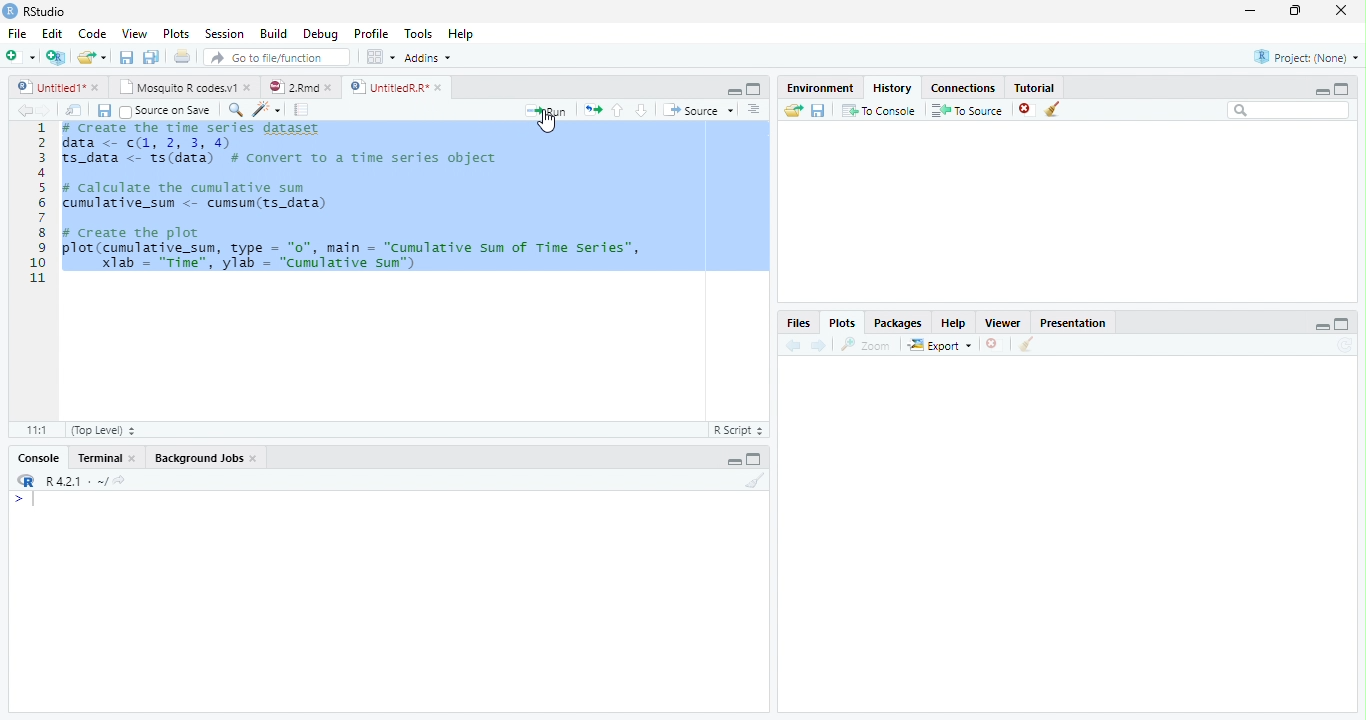  Describe the element at coordinates (741, 430) in the screenshot. I see `R script` at that location.